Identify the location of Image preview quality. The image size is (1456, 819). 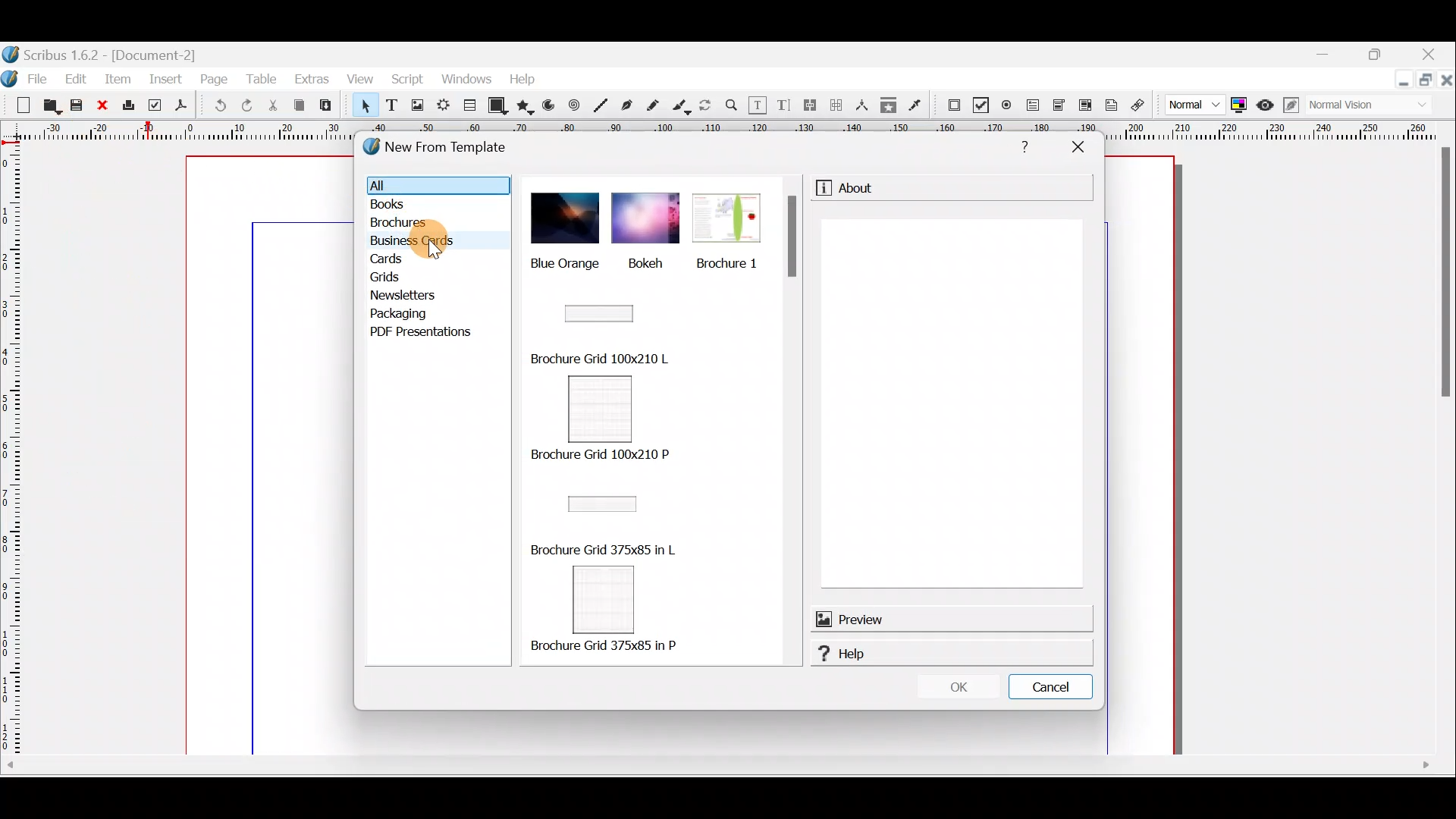
(1187, 106).